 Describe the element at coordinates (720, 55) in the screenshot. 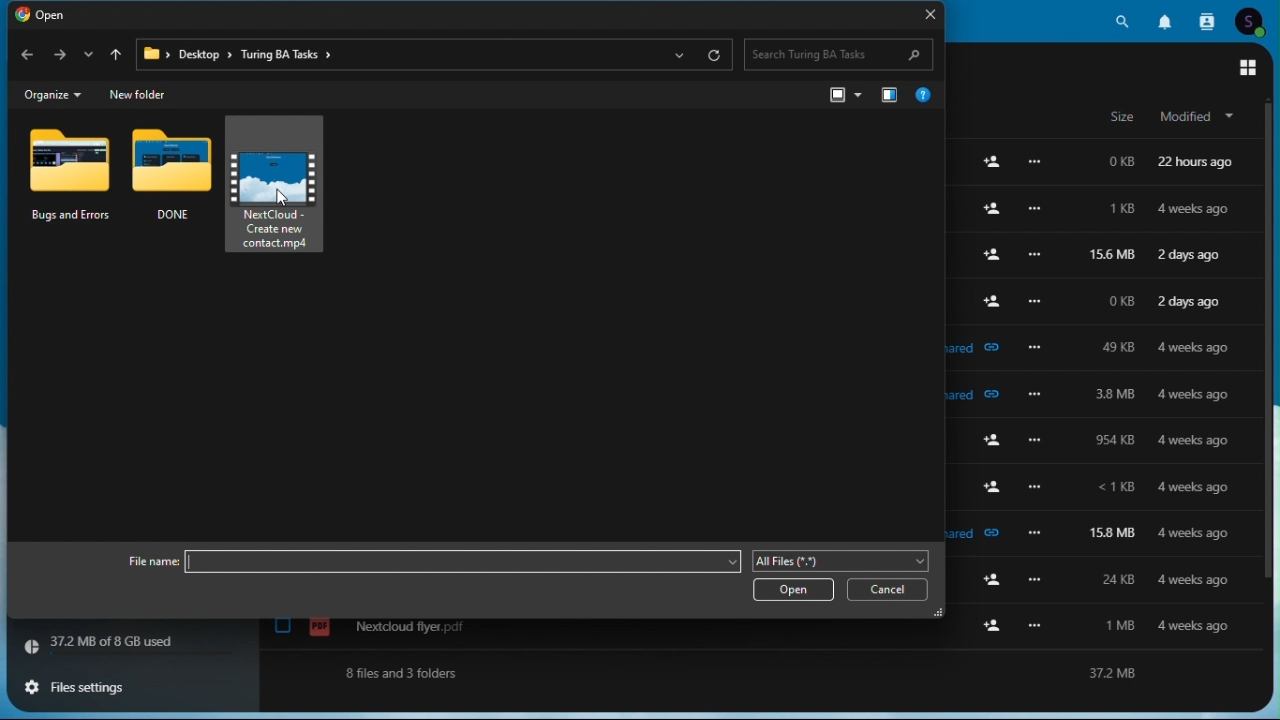

I see `refresh` at that location.